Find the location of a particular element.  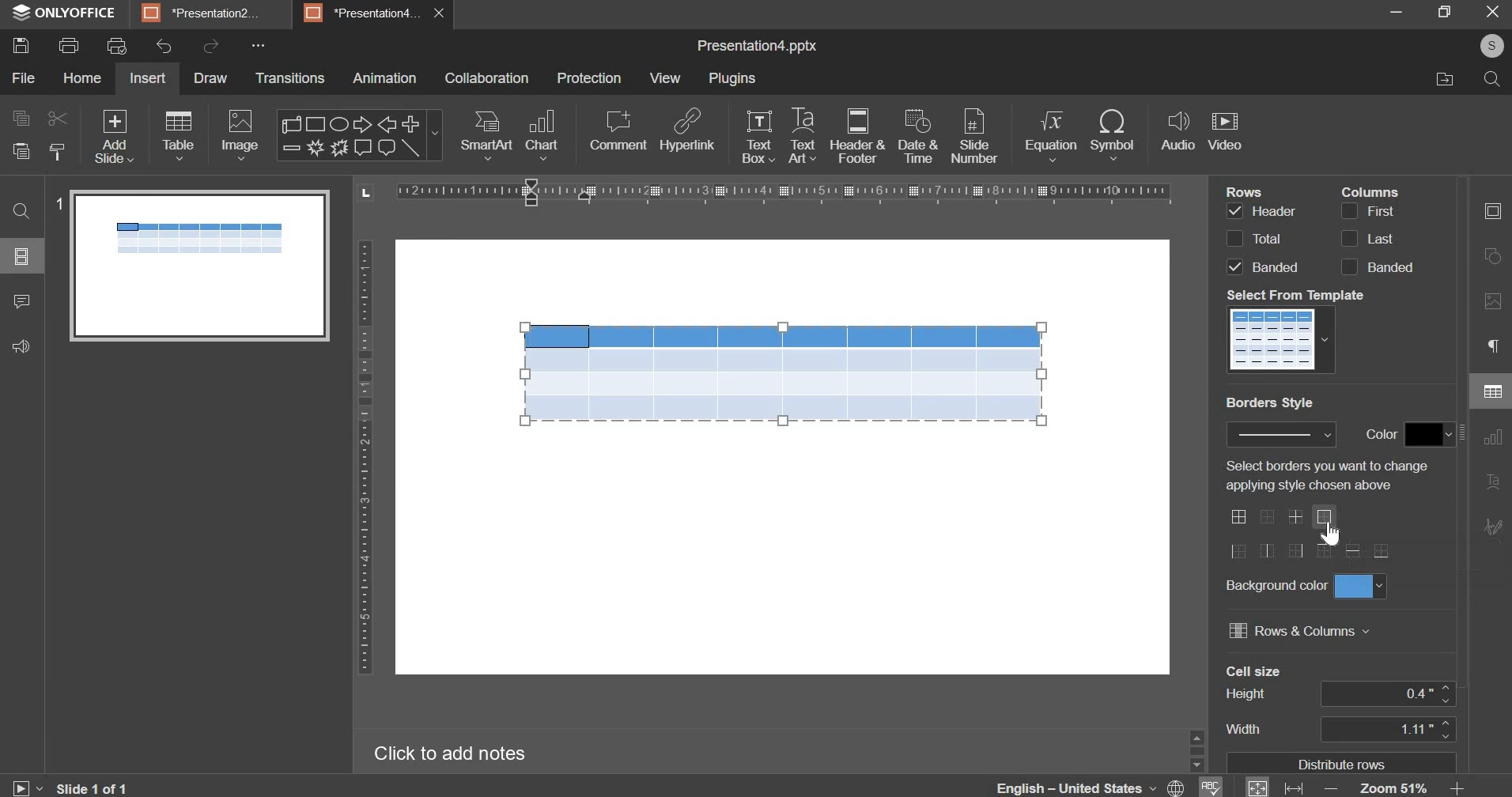

file is located at coordinates (23, 77).